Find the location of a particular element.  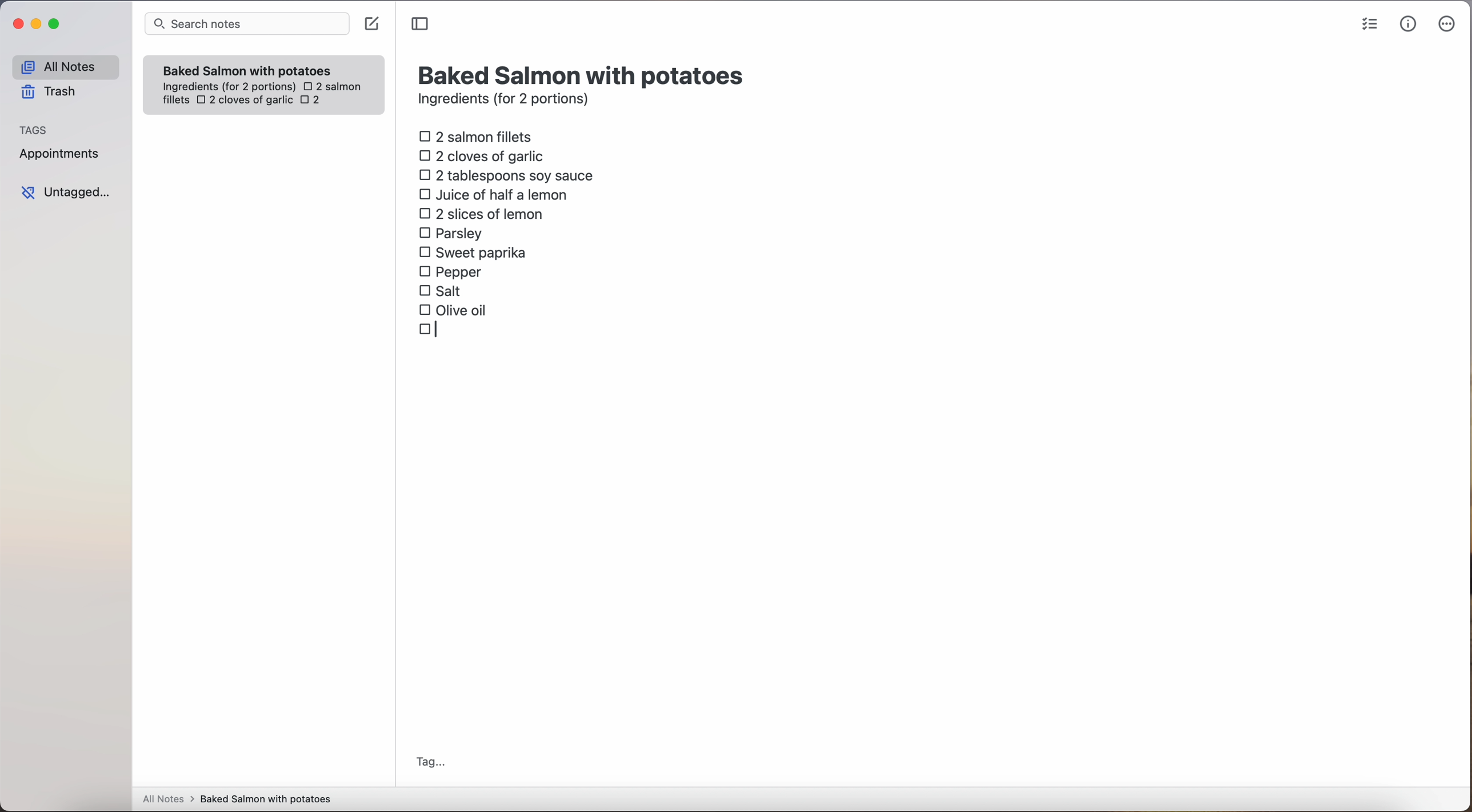

salt is located at coordinates (442, 290).